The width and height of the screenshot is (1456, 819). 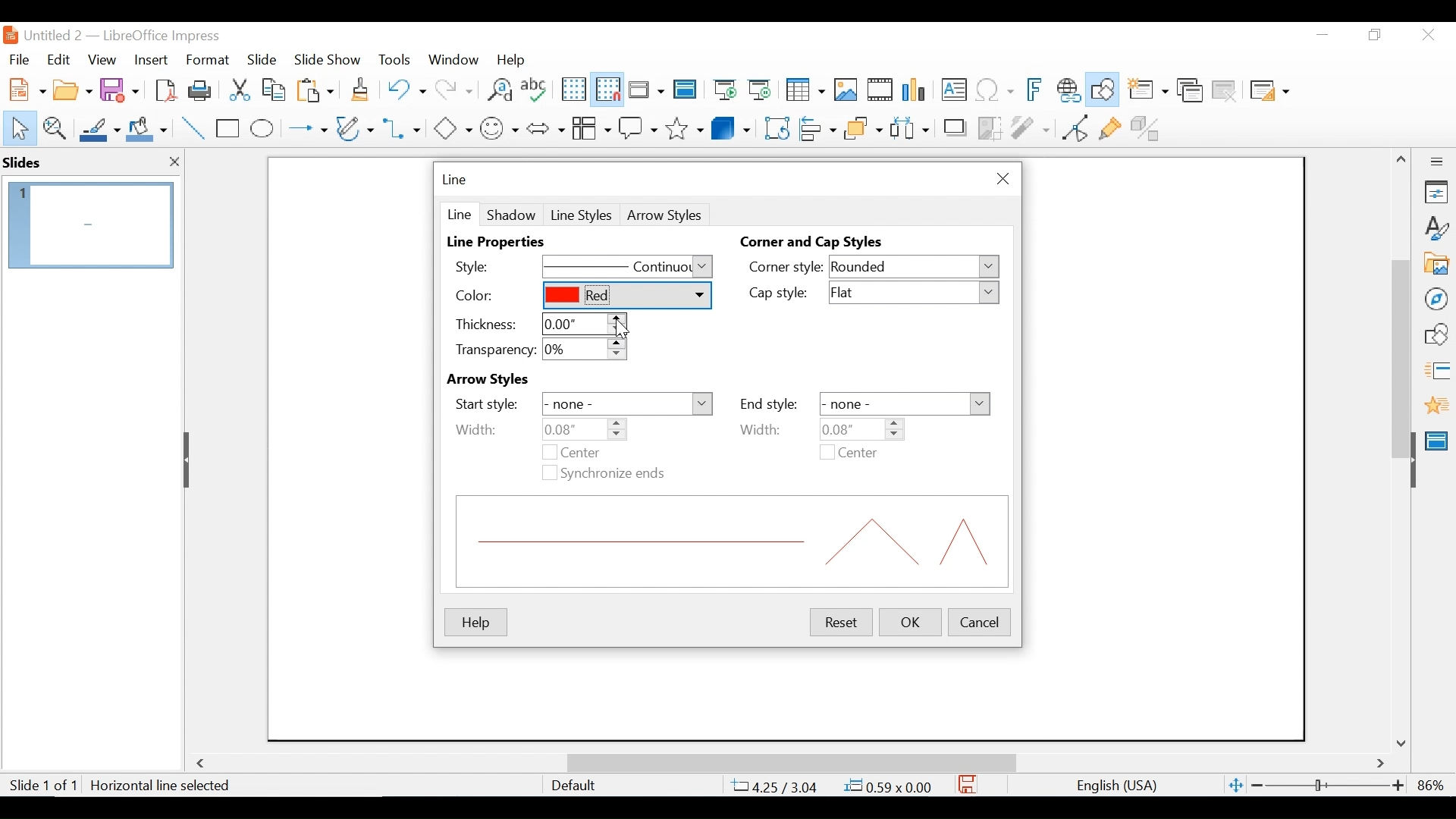 What do you see at coordinates (1068, 90) in the screenshot?
I see `Insert Hyperlink` at bounding box center [1068, 90].